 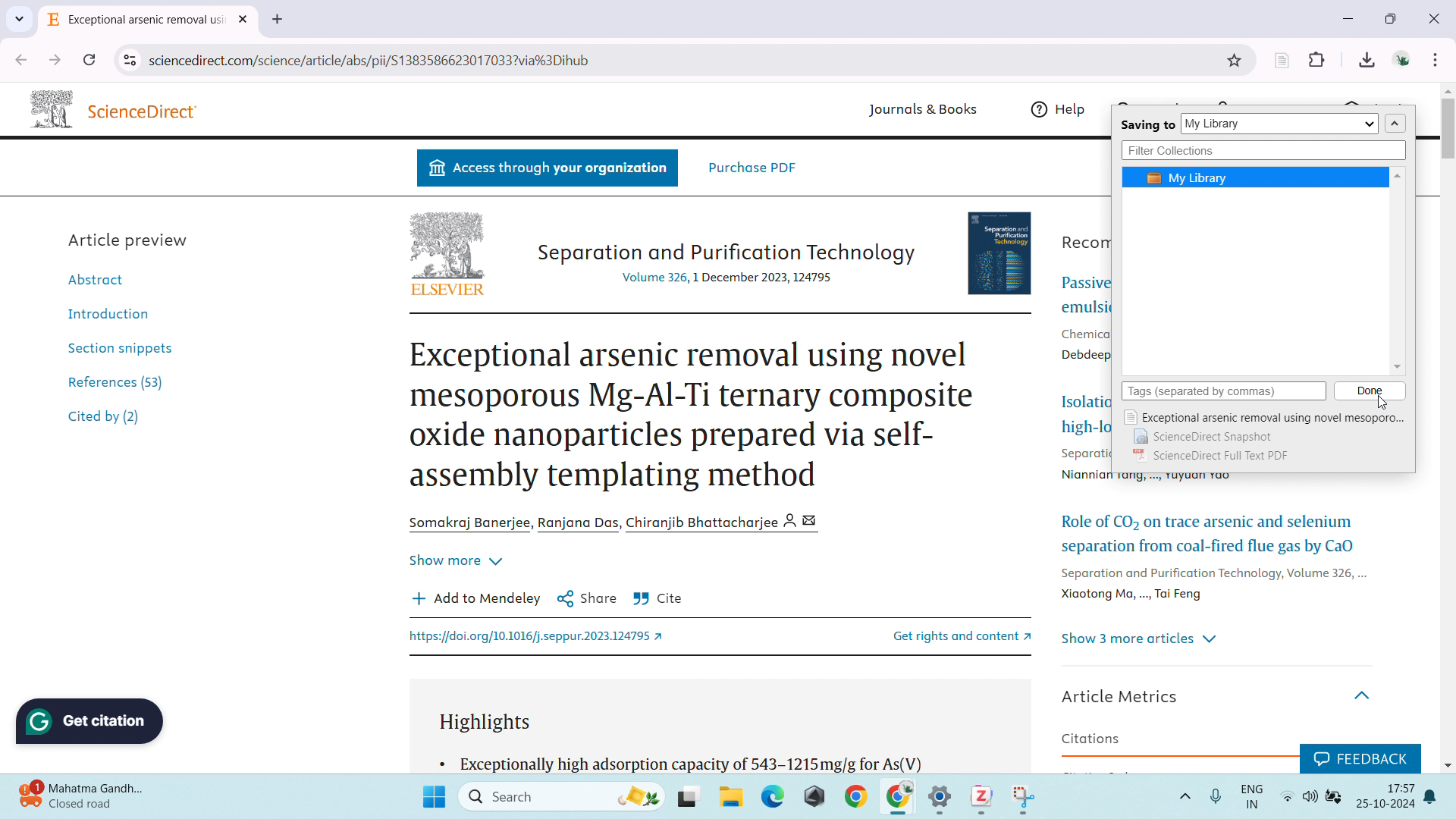 I want to click on Exceptional arsenic removal , so click(x=136, y=22).